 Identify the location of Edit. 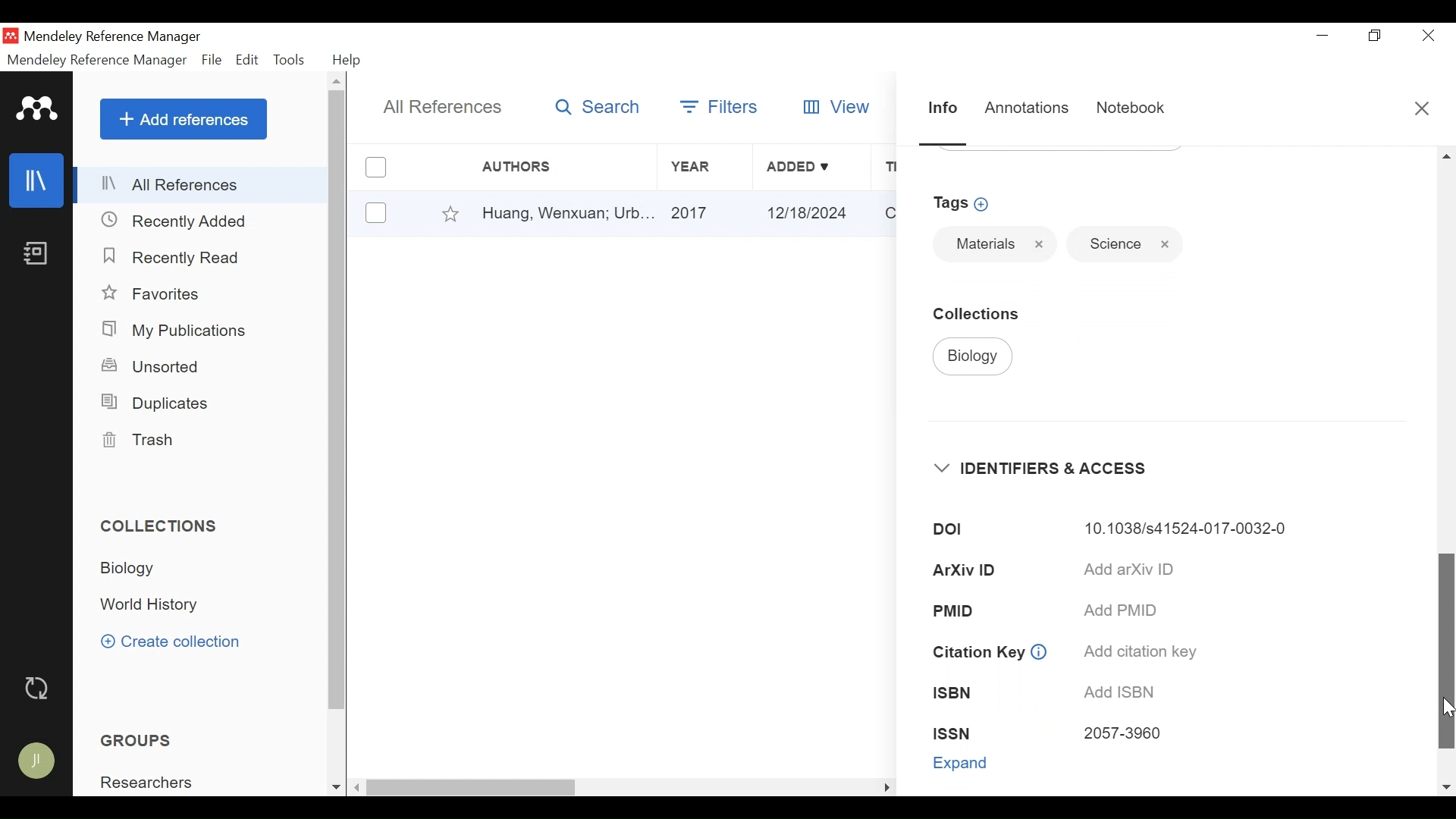
(248, 61).